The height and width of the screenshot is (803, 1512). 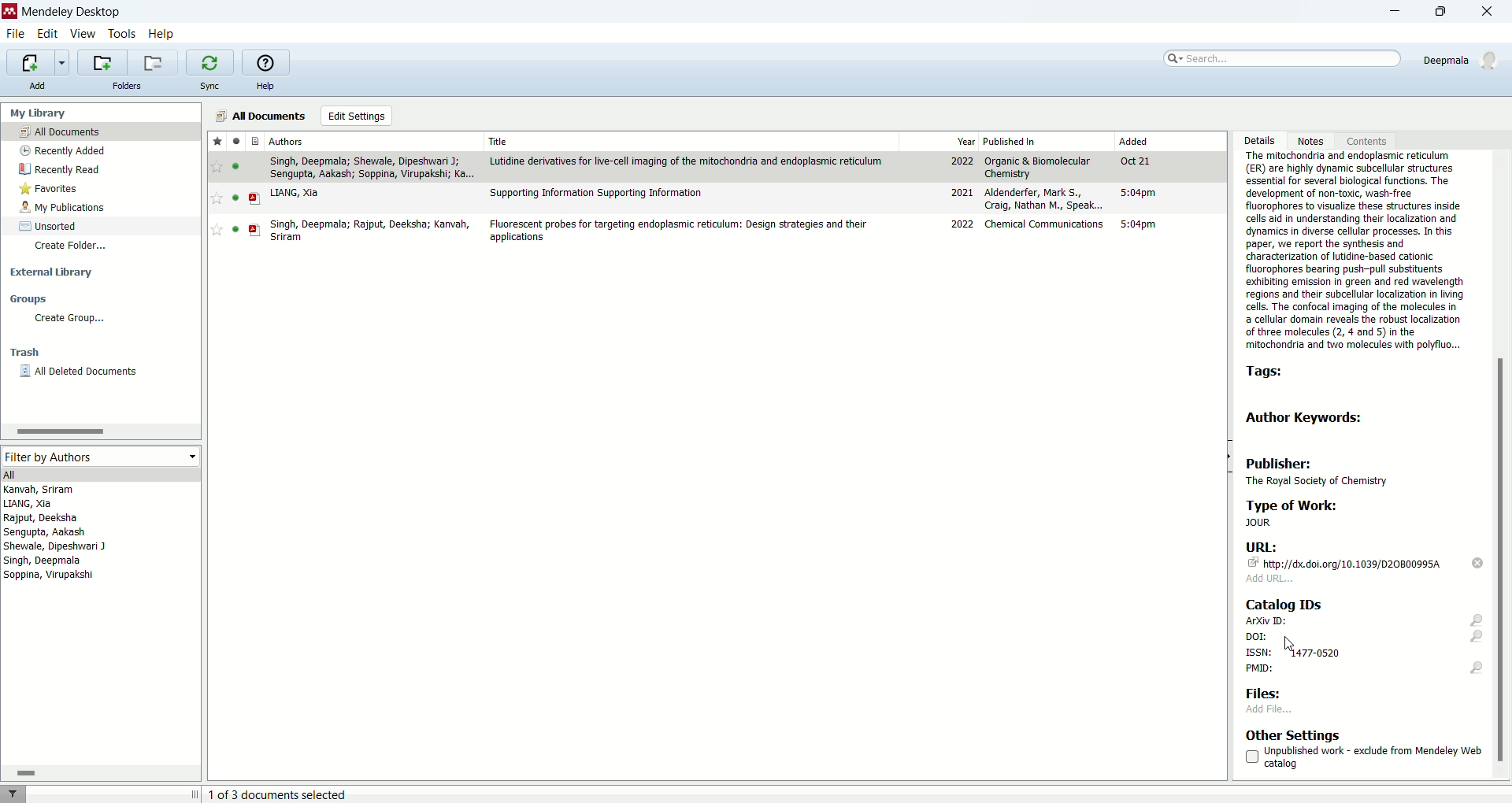 What do you see at coordinates (1258, 141) in the screenshot?
I see `details` at bounding box center [1258, 141].